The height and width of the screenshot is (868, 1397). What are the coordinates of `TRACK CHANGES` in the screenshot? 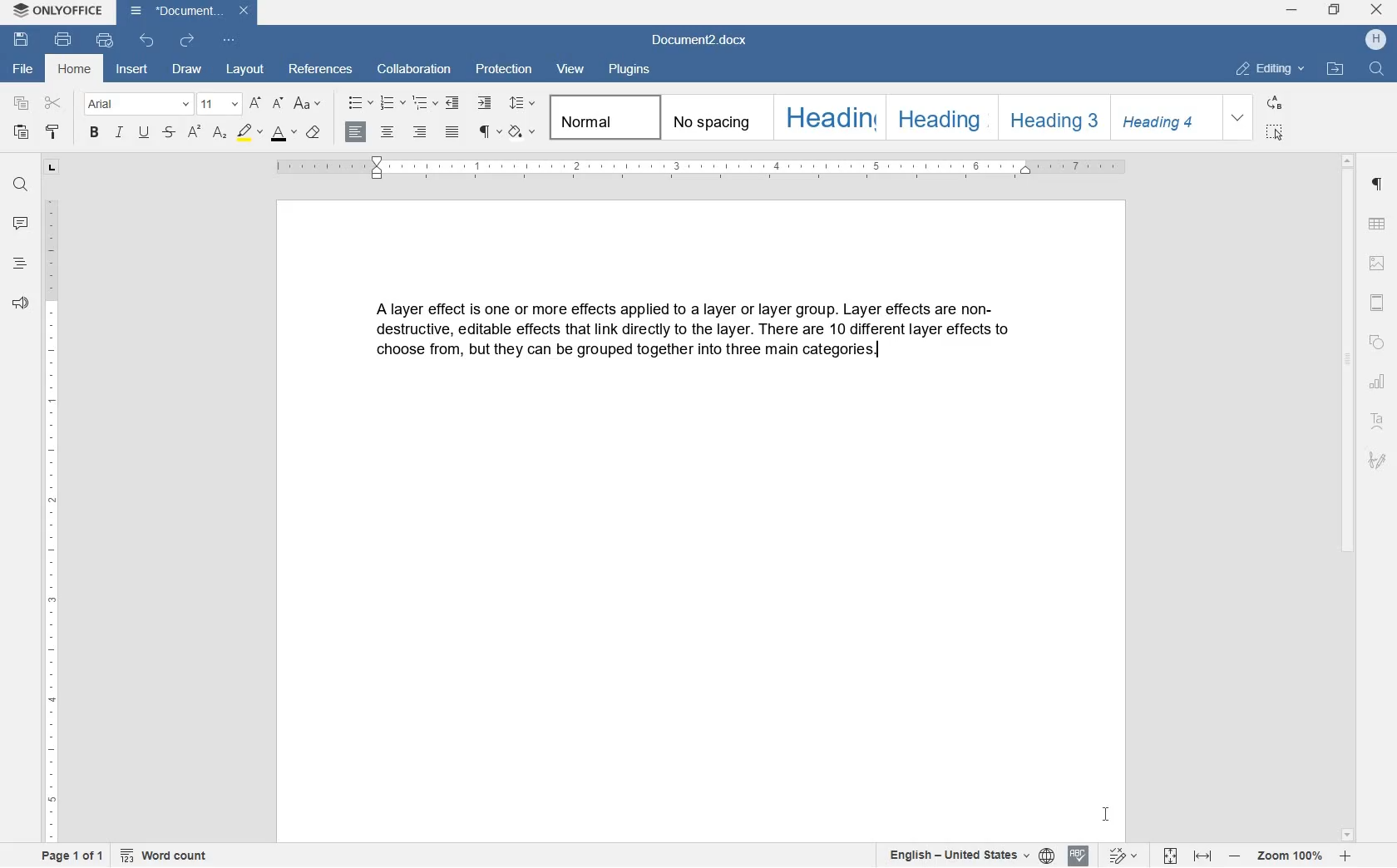 It's located at (1125, 856).